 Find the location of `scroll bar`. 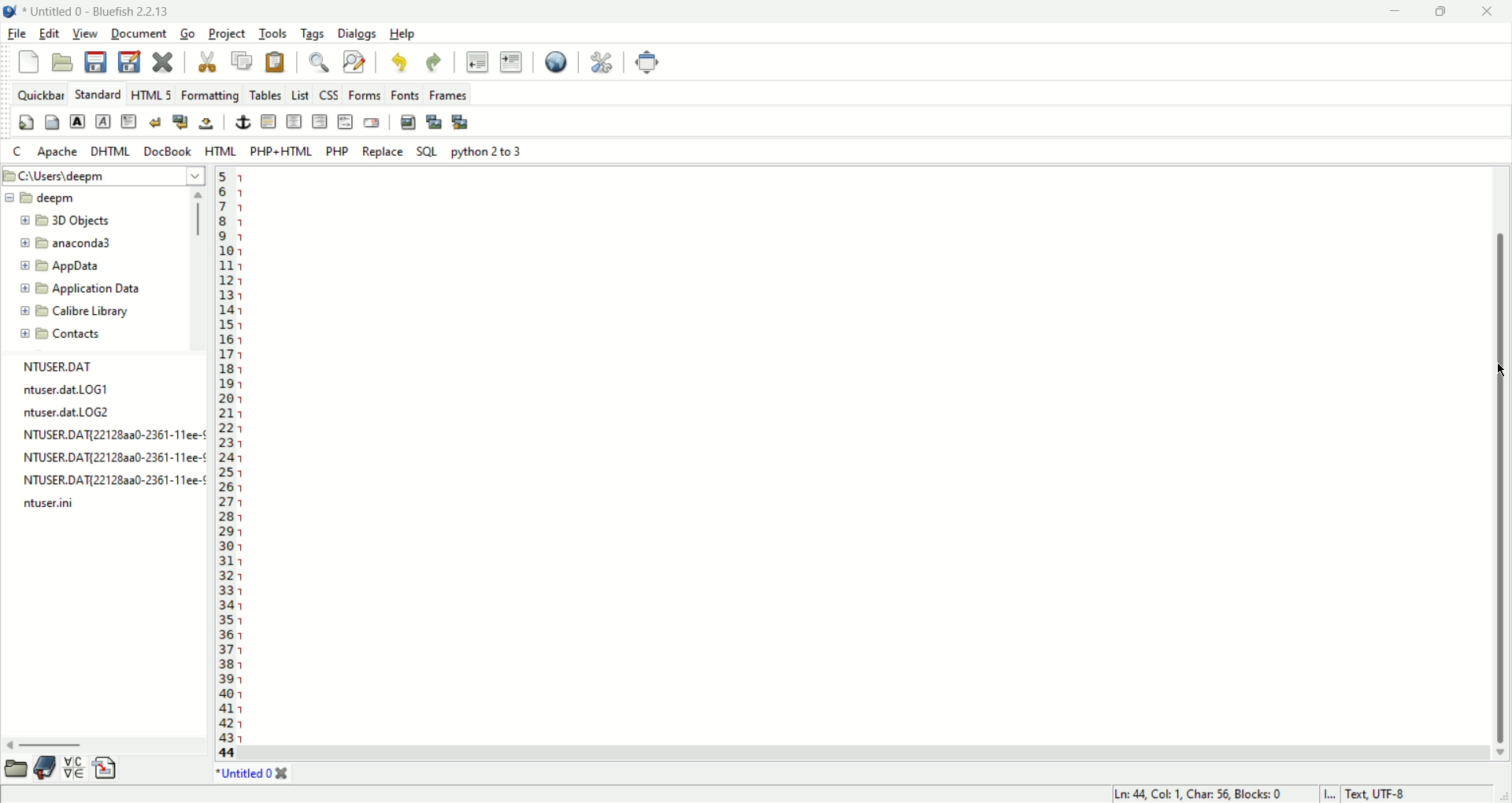

scroll bar is located at coordinates (1502, 464).